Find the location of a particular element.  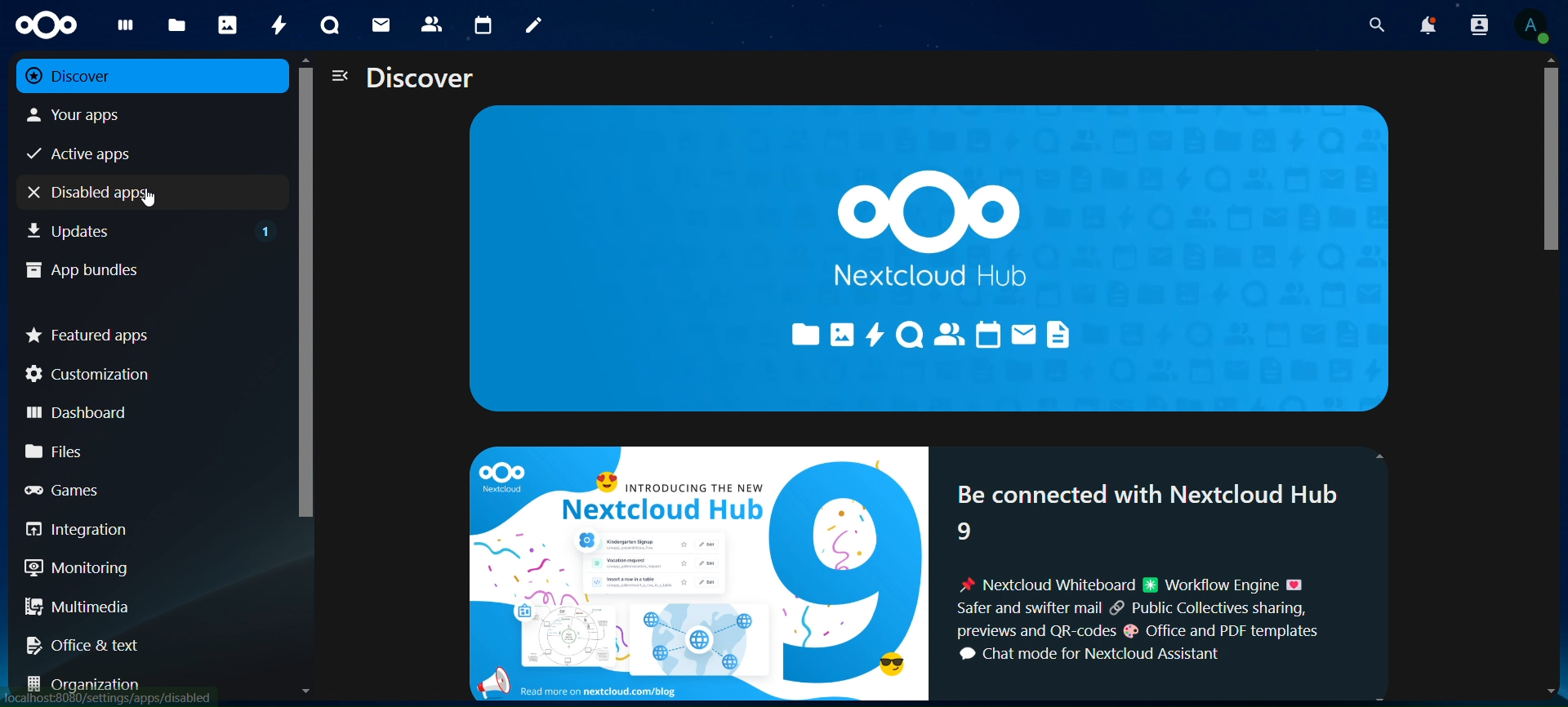

text is located at coordinates (1165, 580).